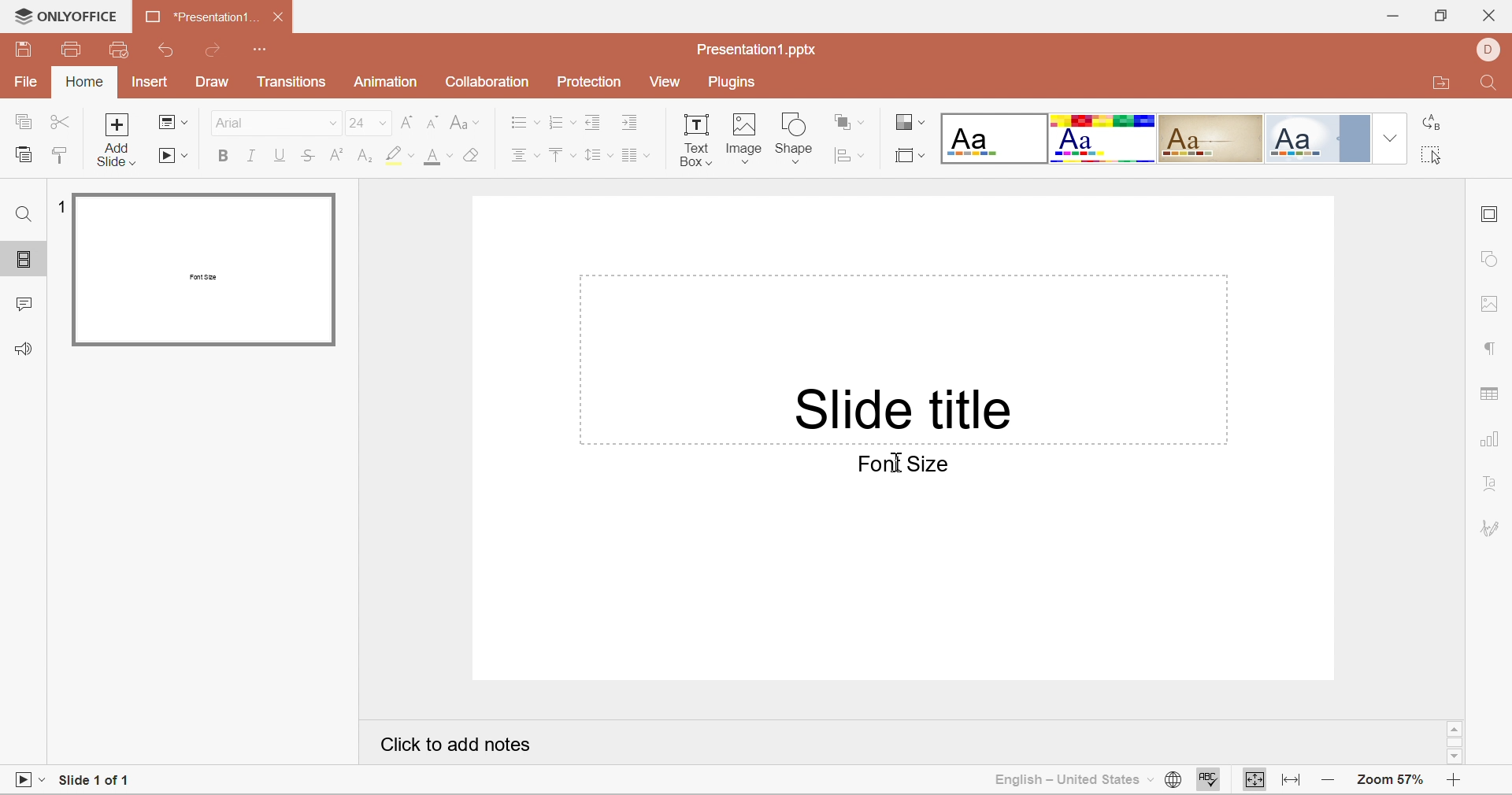  Describe the element at coordinates (1391, 135) in the screenshot. I see `Drop Down` at that location.